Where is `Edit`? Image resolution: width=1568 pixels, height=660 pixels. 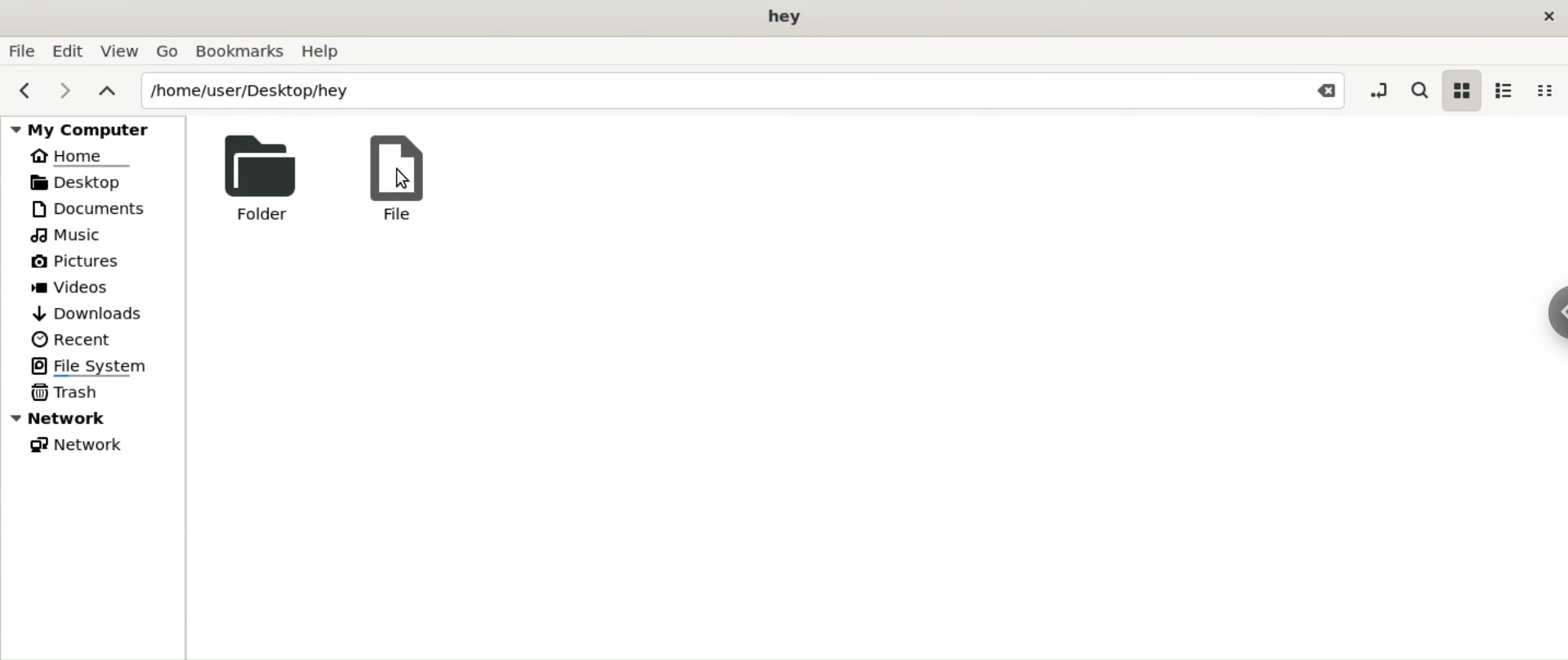
Edit is located at coordinates (69, 50).